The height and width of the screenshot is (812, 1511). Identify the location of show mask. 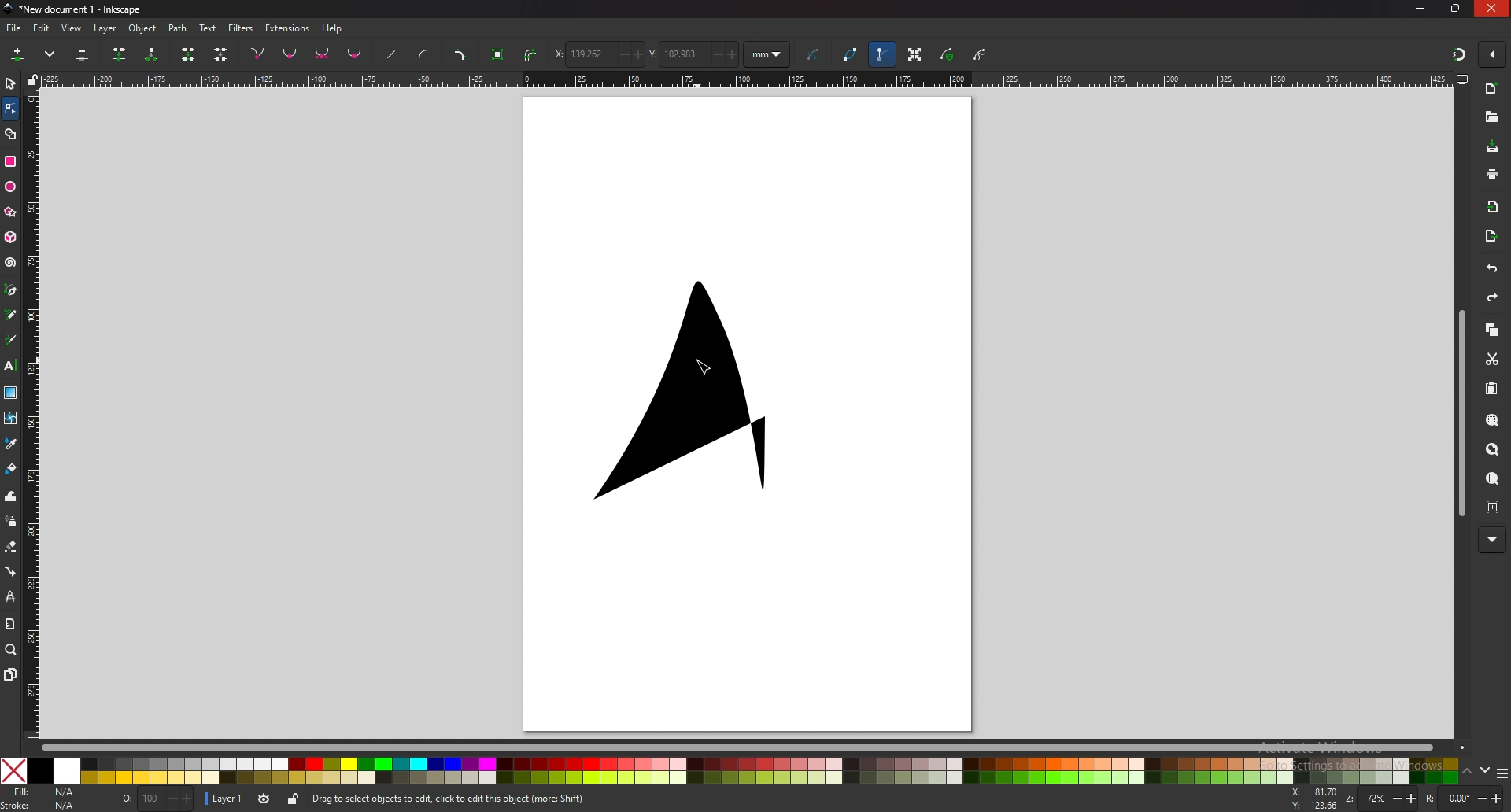
(947, 54).